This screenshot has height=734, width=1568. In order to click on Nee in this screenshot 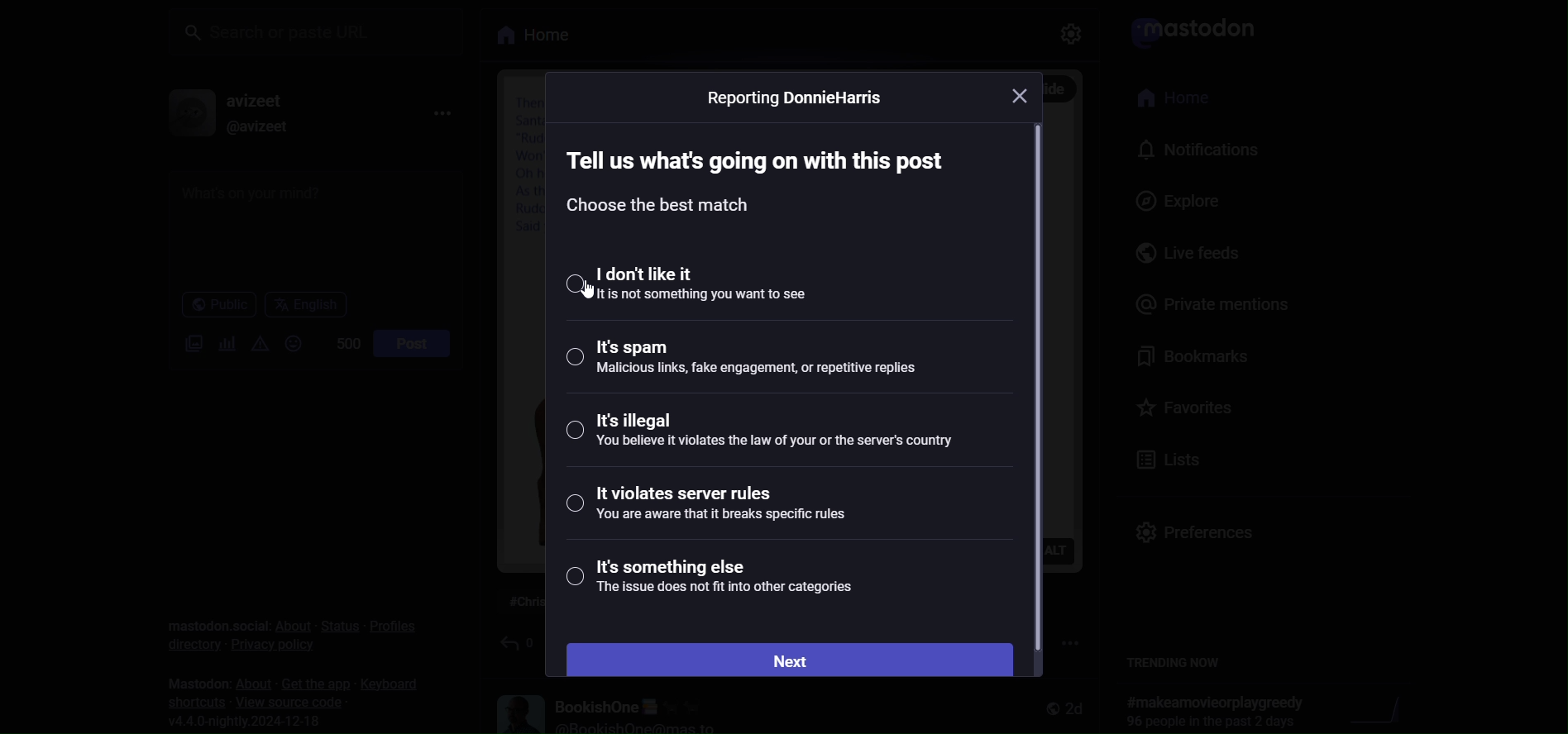, I will do `click(790, 659)`.